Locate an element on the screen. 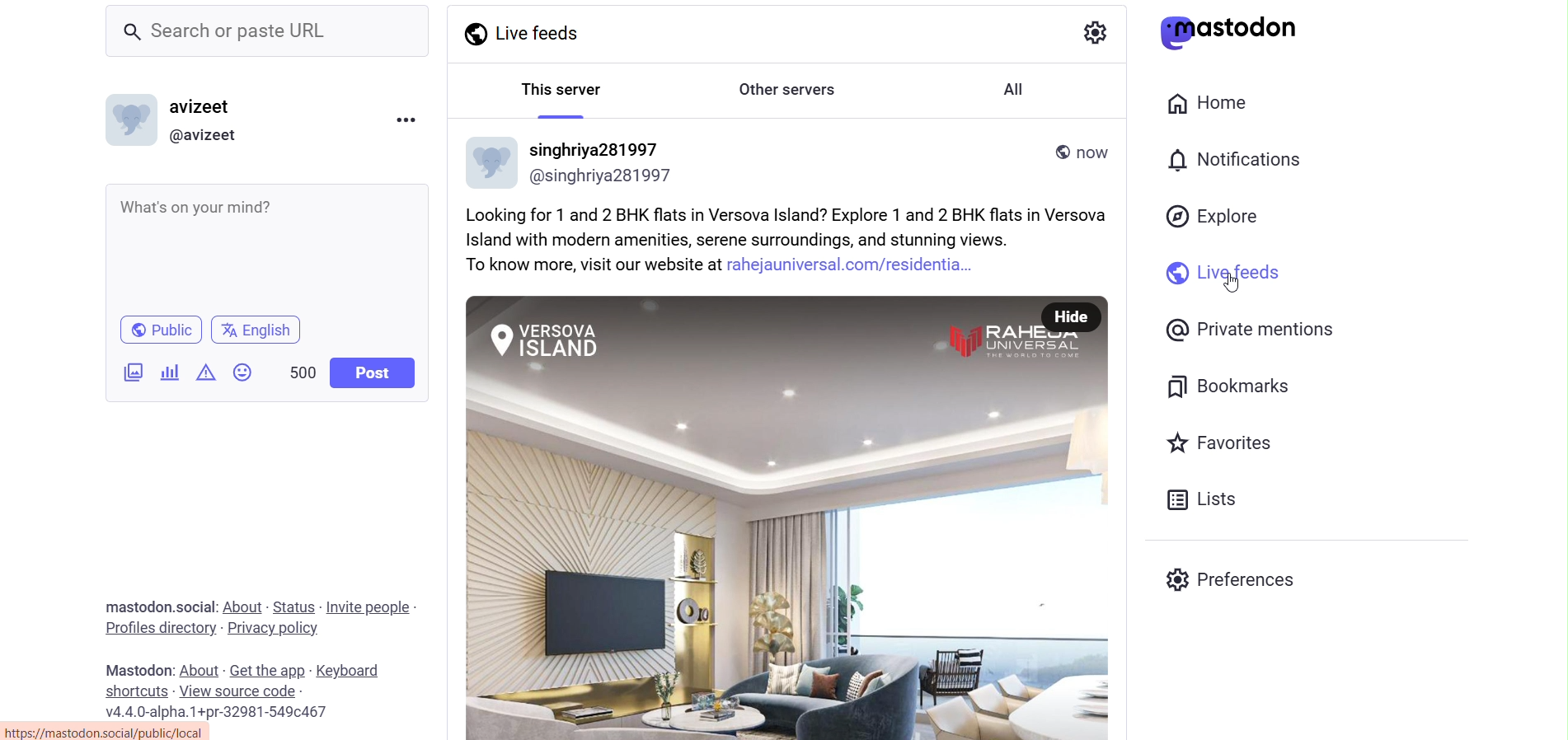  emoji is located at coordinates (242, 373).